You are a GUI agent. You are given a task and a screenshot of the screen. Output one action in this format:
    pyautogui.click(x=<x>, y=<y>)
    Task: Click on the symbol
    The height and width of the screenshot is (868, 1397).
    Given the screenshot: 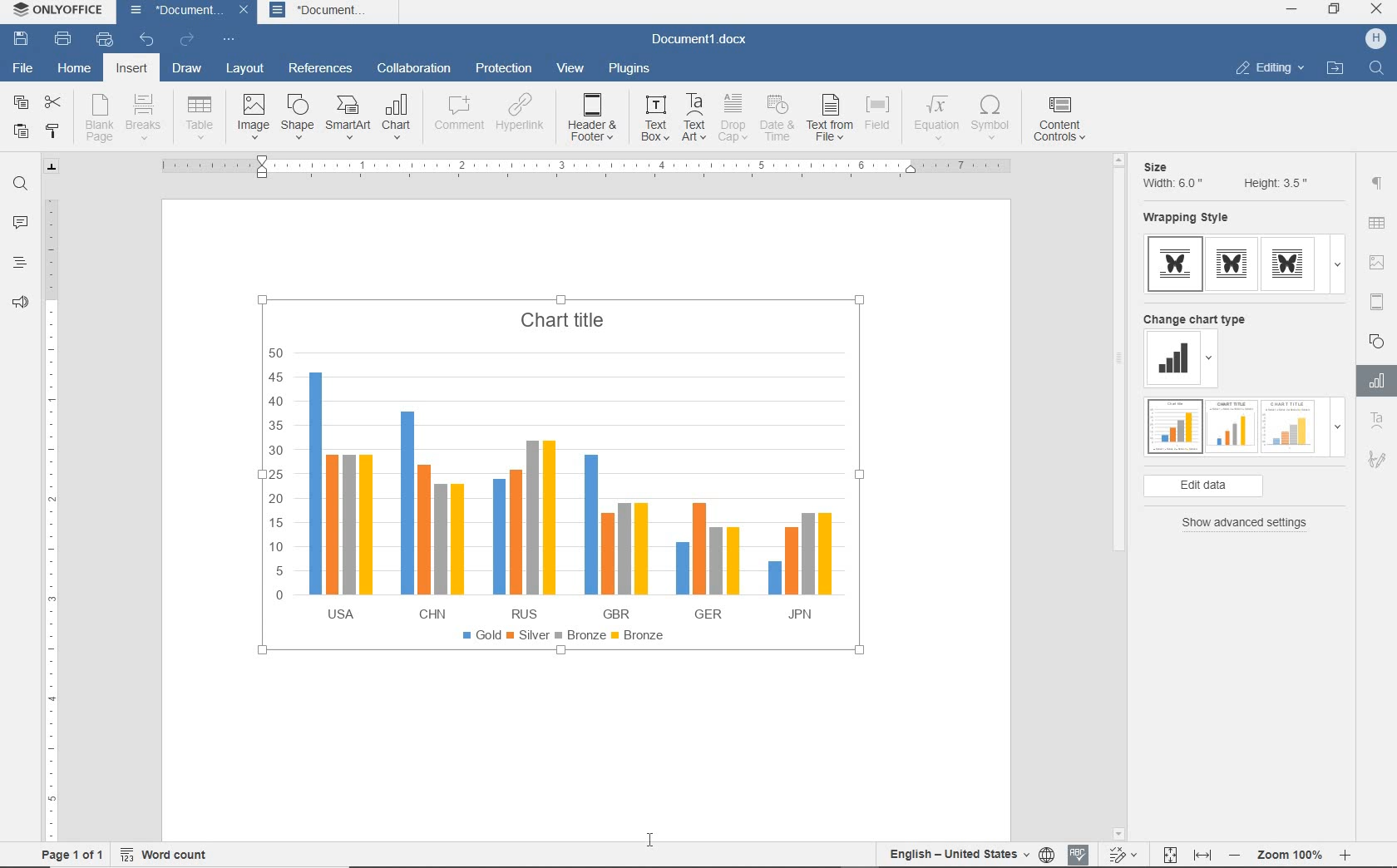 What is the action you would take?
    pyautogui.click(x=993, y=119)
    